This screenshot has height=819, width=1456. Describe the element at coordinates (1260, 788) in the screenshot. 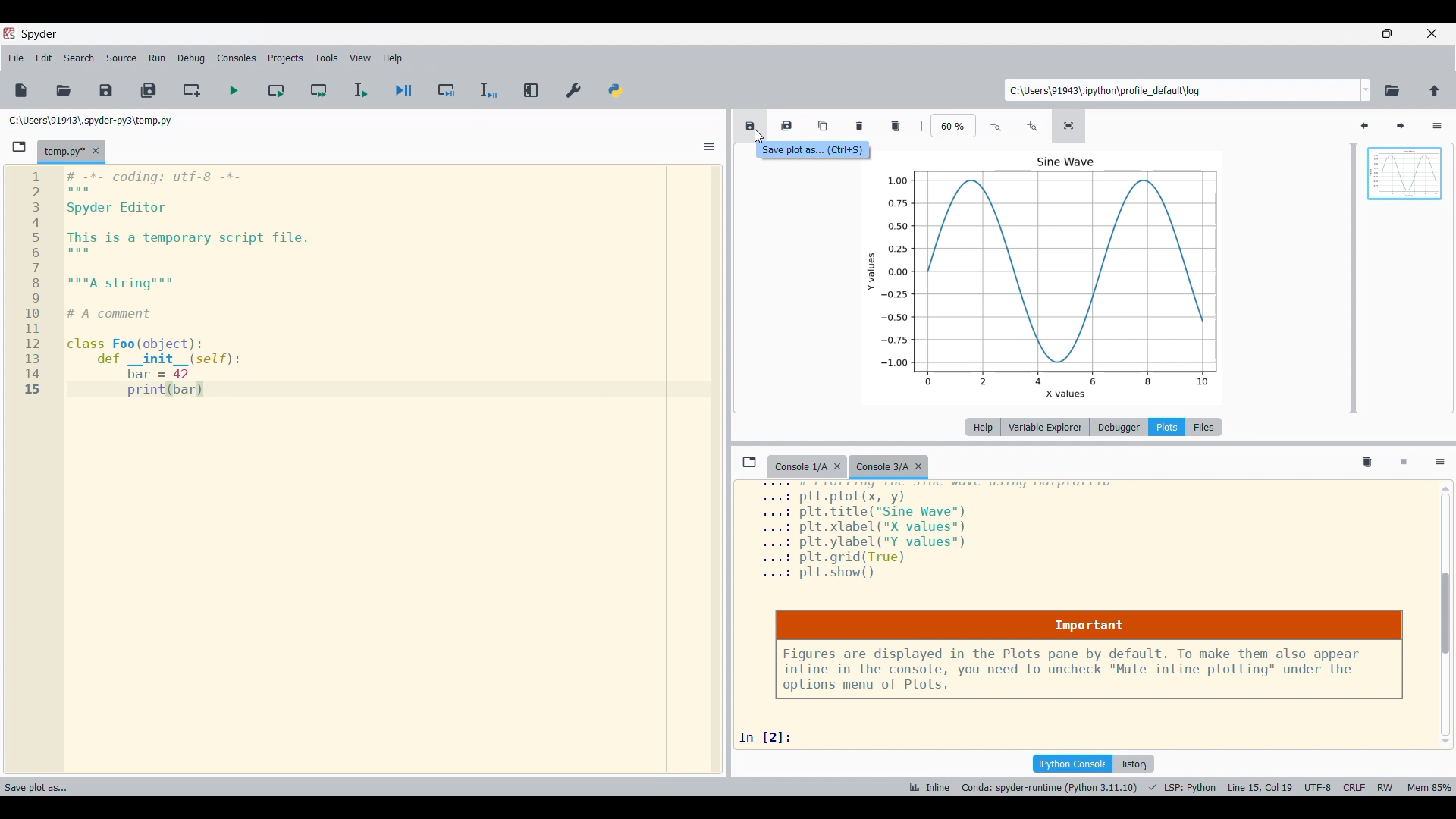

I see `CURSOR POSITION` at that location.